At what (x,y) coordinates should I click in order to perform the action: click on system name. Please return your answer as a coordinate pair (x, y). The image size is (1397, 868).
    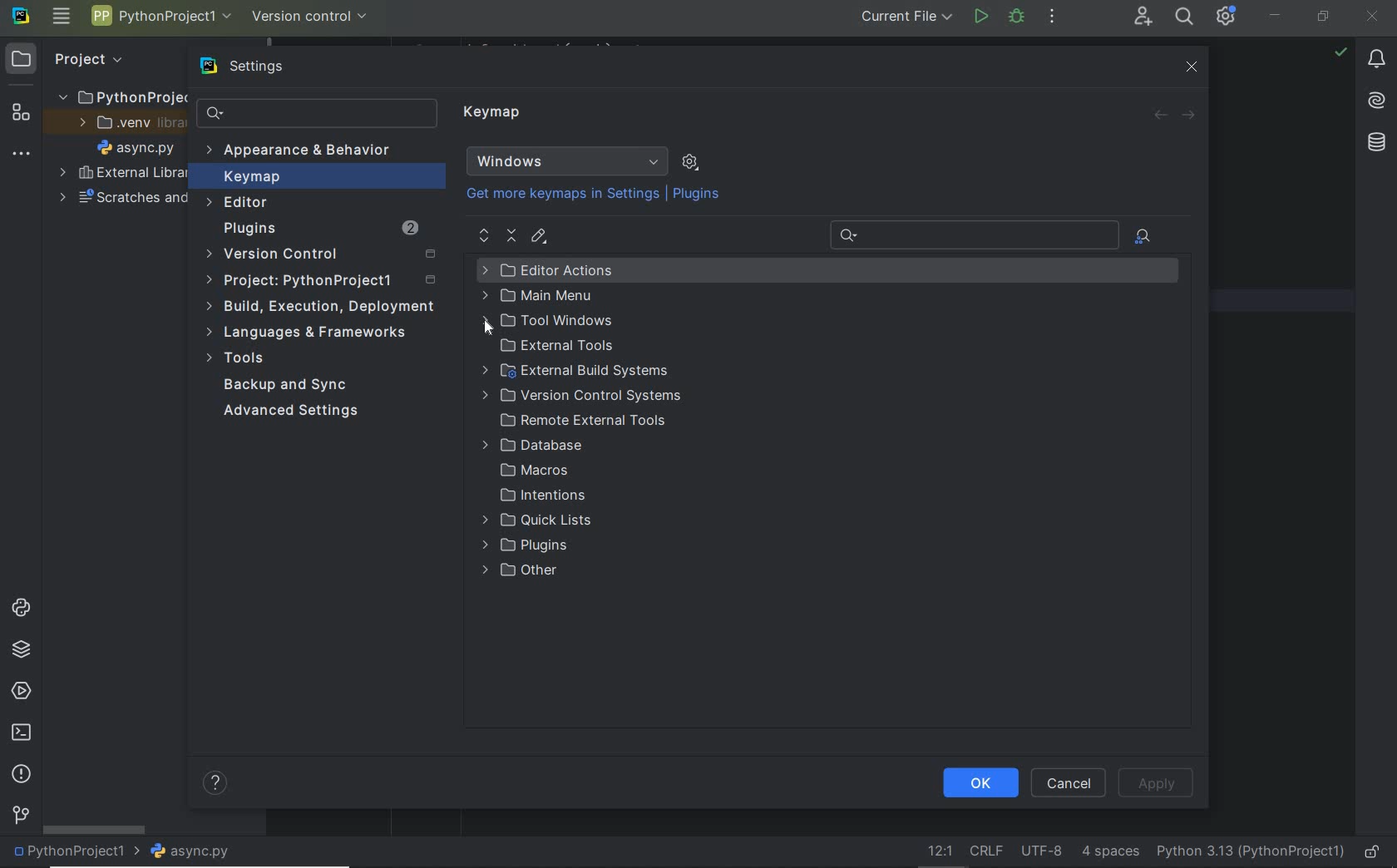
    Looking at the image, I should click on (21, 17).